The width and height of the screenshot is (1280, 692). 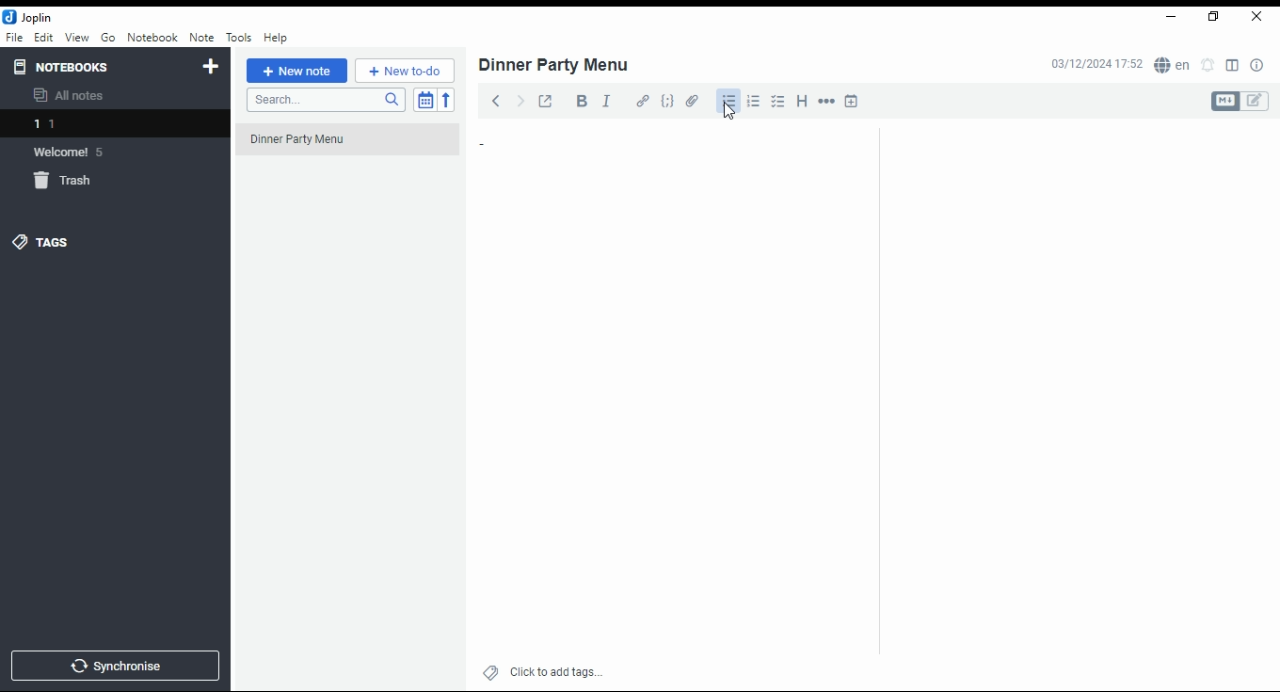 What do you see at coordinates (643, 102) in the screenshot?
I see `hyperlink` at bounding box center [643, 102].